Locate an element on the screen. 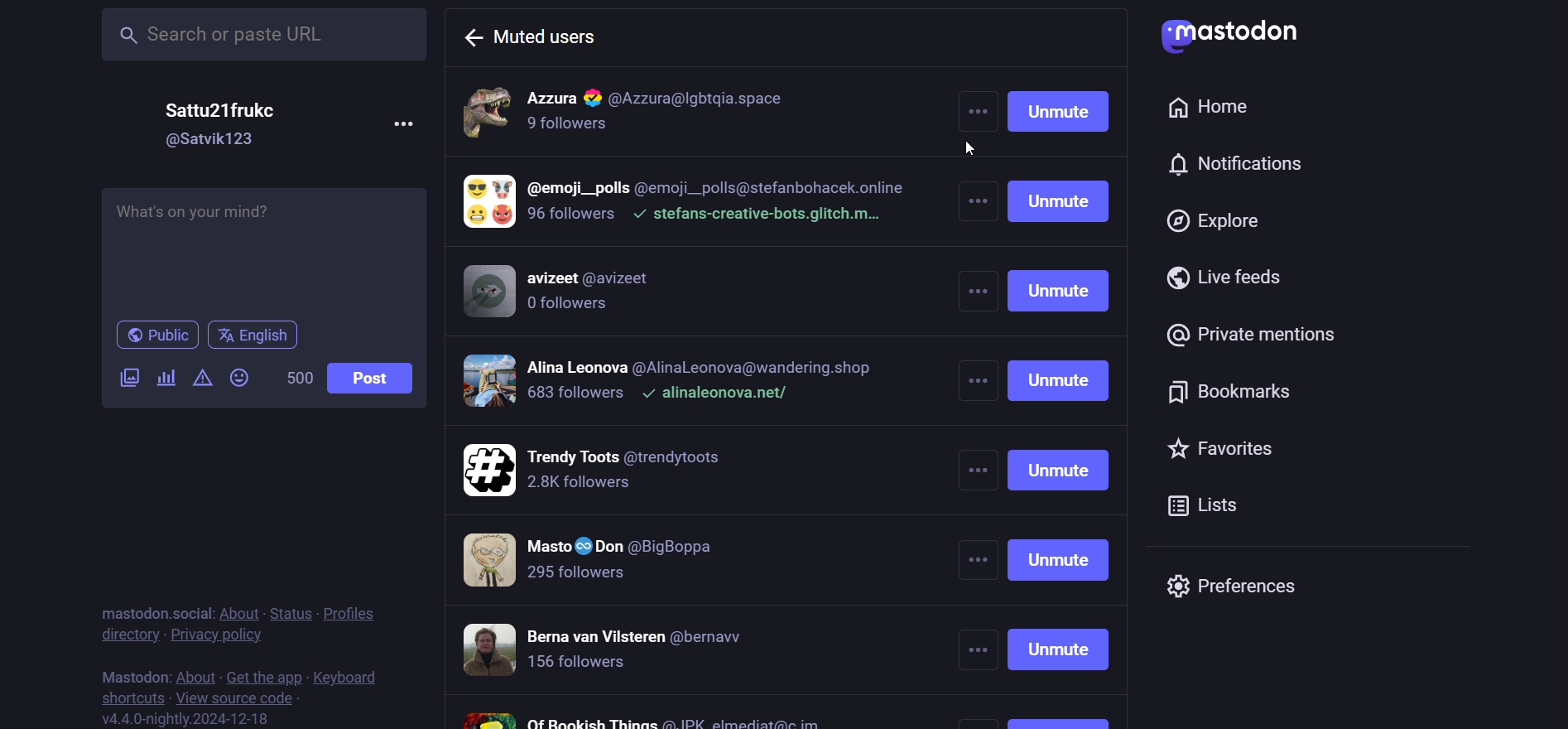 The image size is (1568, 729). muter users 3 is located at coordinates (574, 292).